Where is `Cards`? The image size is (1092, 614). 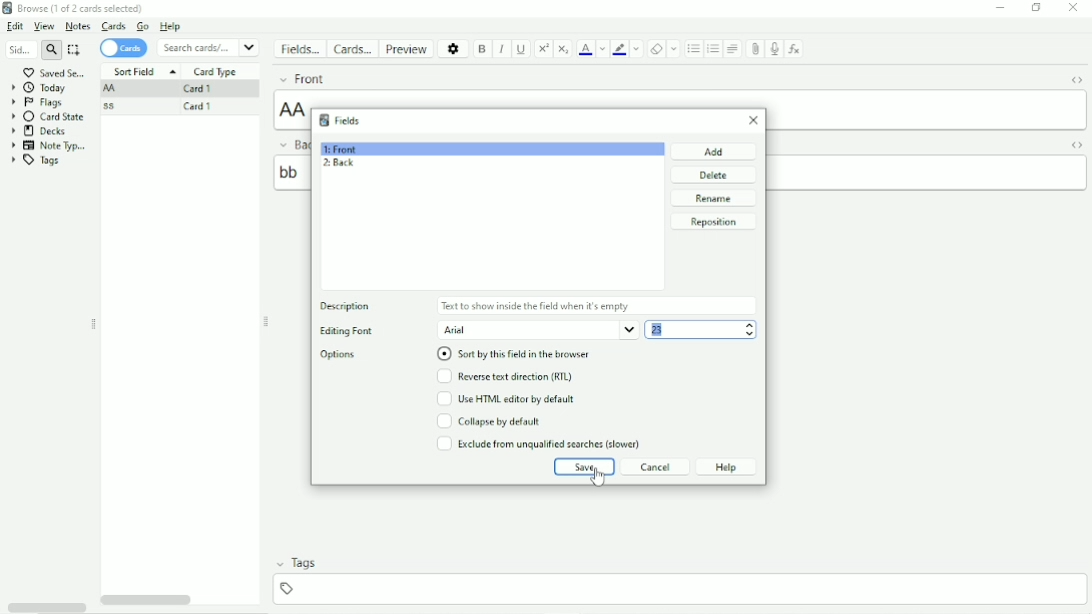 Cards is located at coordinates (113, 27).